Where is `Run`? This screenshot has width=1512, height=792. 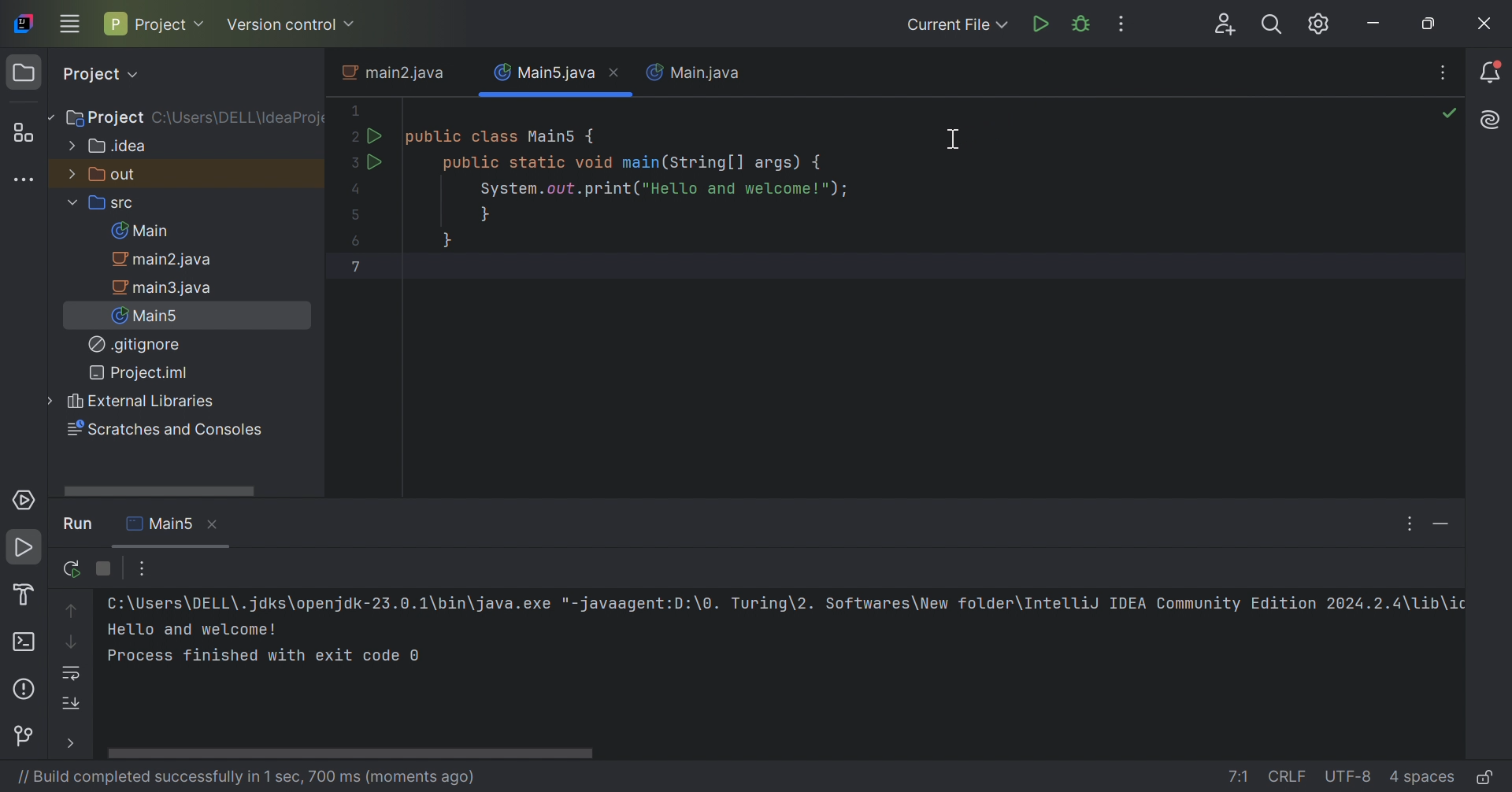 Run is located at coordinates (376, 164).